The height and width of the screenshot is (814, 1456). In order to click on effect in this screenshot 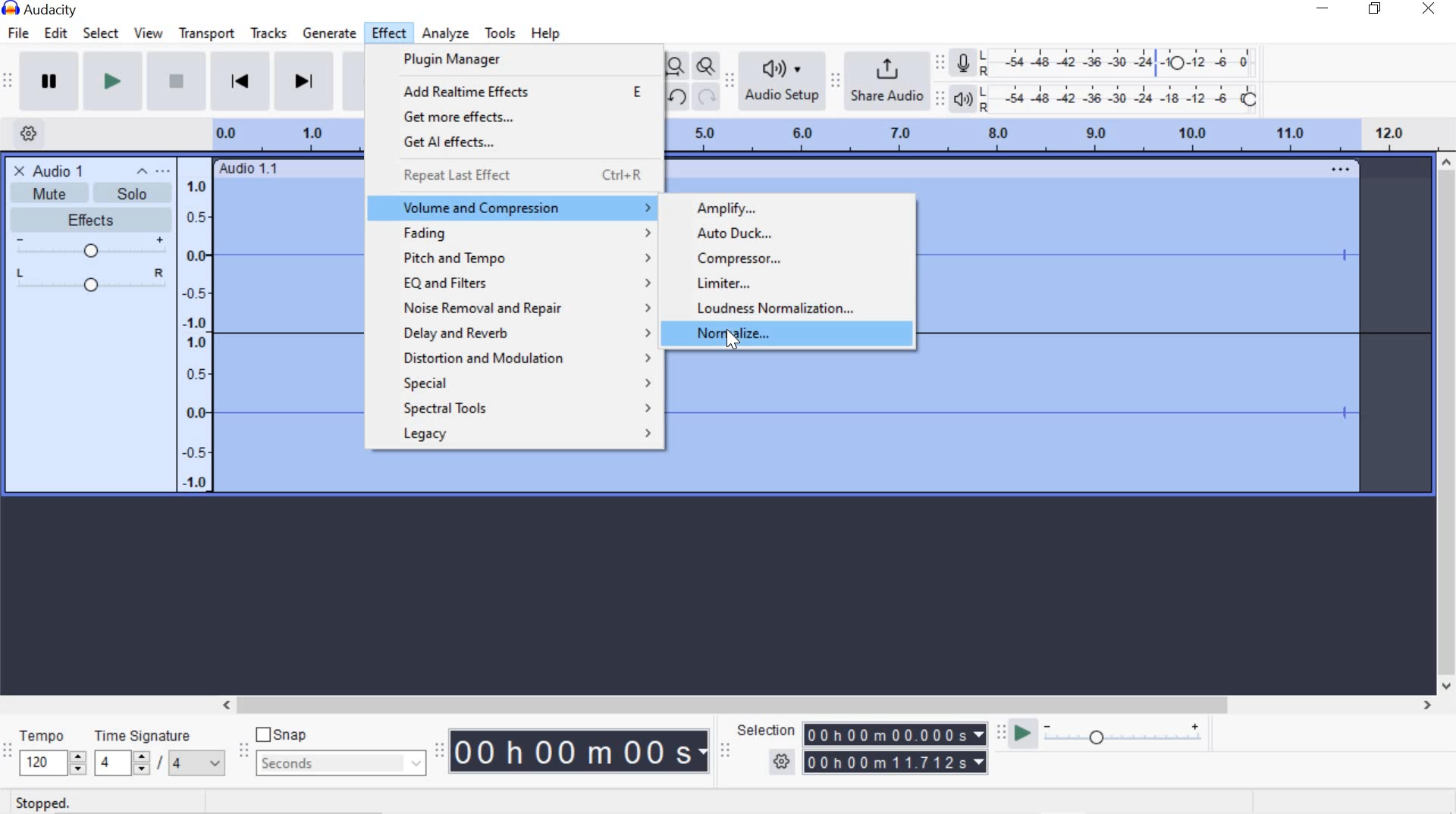, I will do `click(391, 33)`.